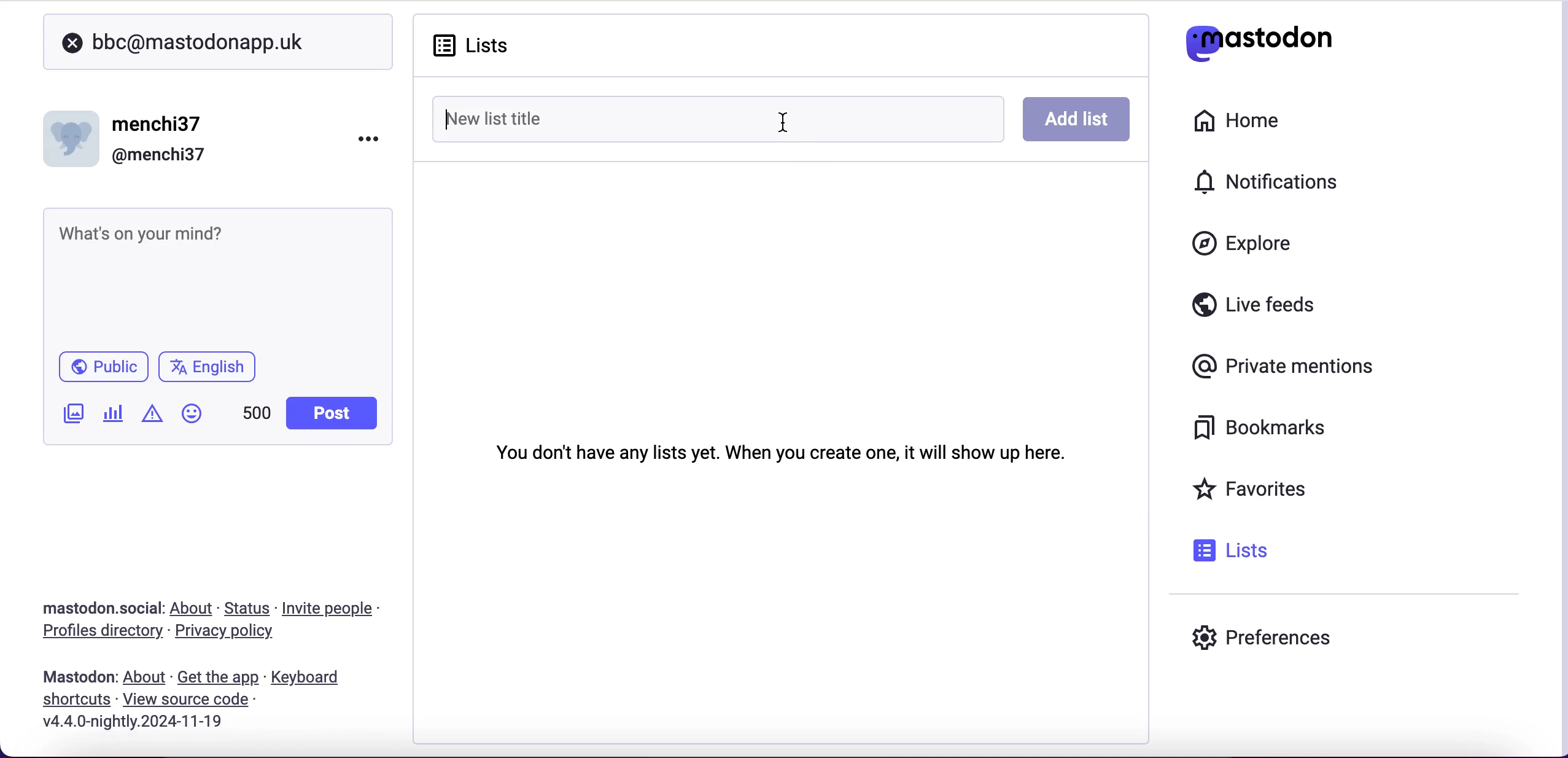 The height and width of the screenshot is (758, 1568). Describe the element at coordinates (194, 608) in the screenshot. I see `about` at that location.